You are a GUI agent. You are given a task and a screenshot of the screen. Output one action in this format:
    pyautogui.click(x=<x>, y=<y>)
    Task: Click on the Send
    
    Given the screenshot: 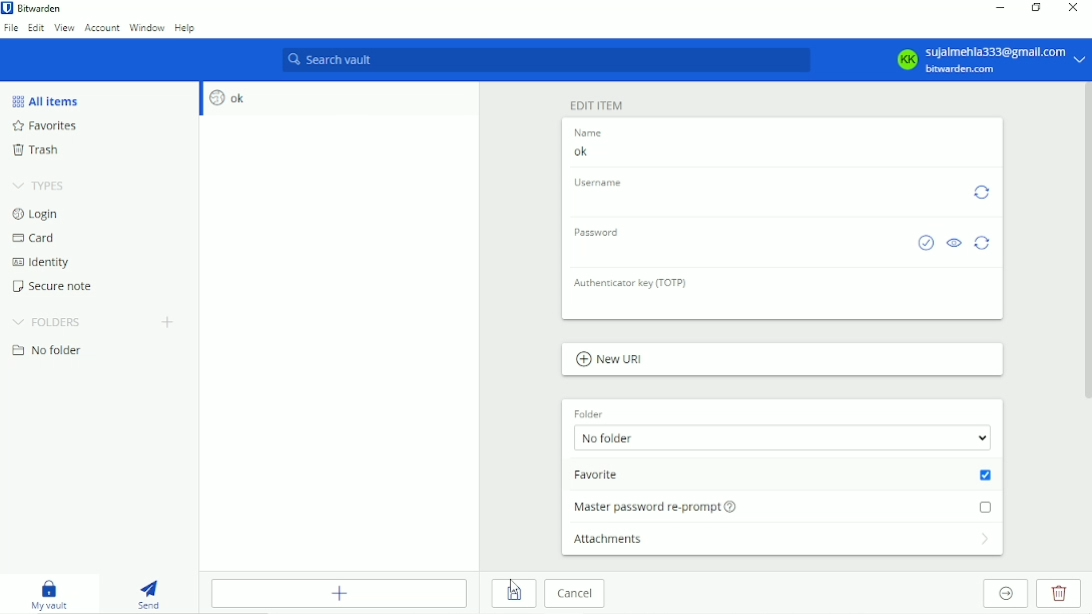 What is the action you would take?
    pyautogui.click(x=155, y=591)
    